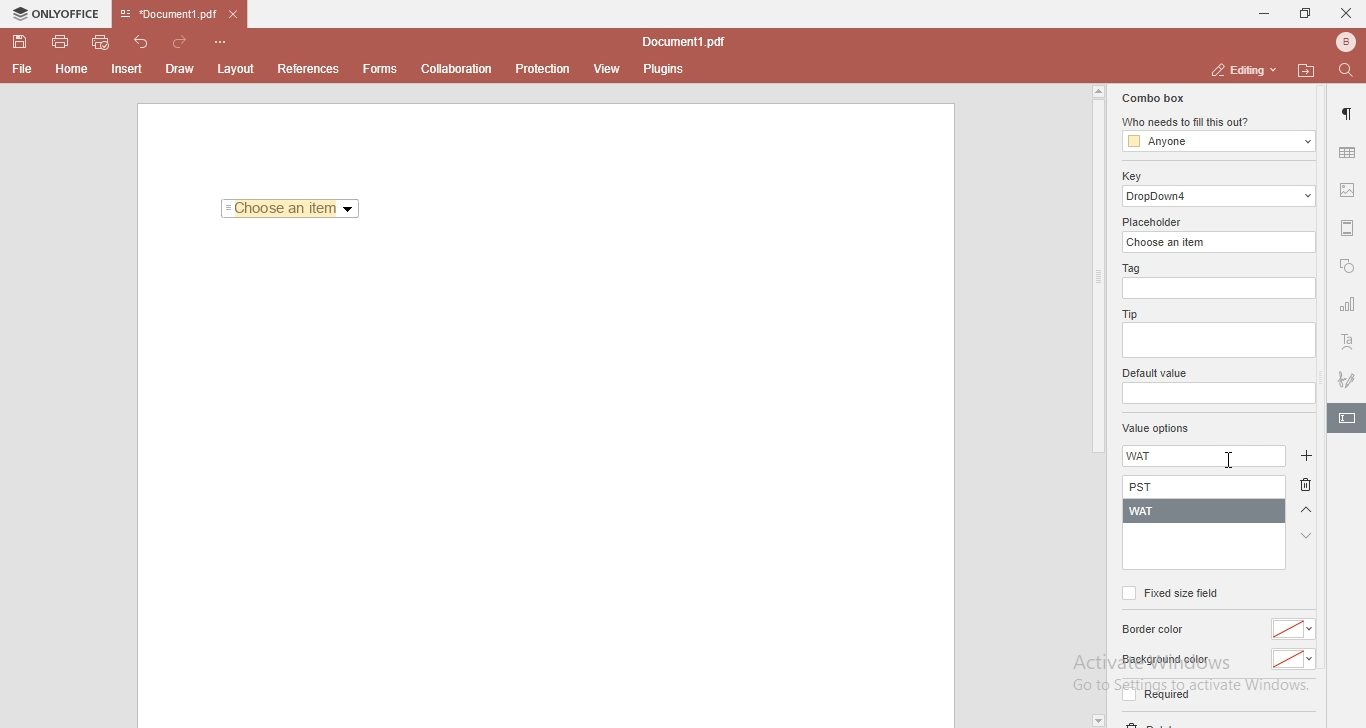  What do you see at coordinates (1208, 488) in the screenshot?
I see `PST added` at bounding box center [1208, 488].